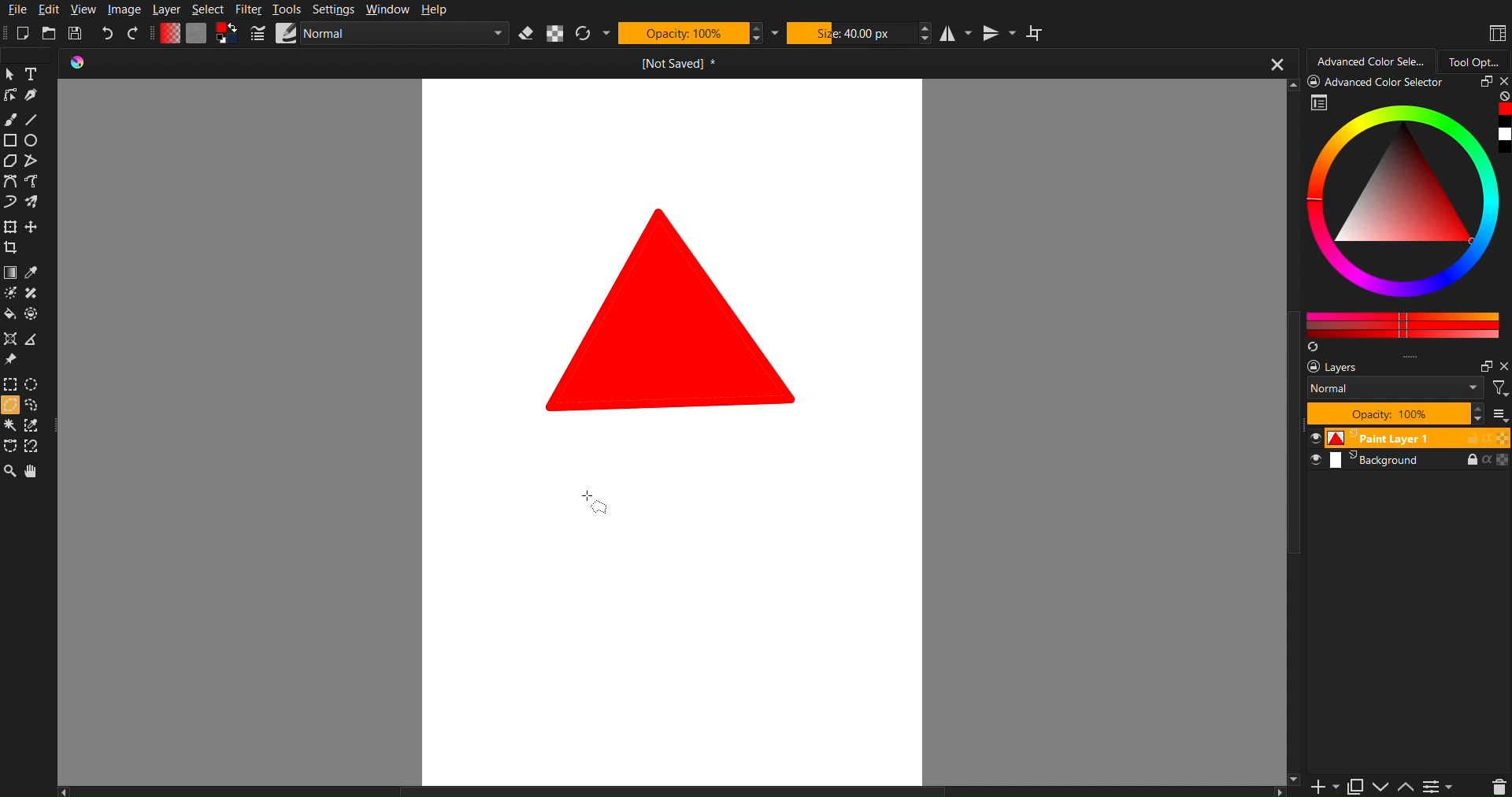 Image resolution: width=1512 pixels, height=797 pixels. What do you see at coordinates (1495, 32) in the screenshot?
I see `Workspaces` at bounding box center [1495, 32].